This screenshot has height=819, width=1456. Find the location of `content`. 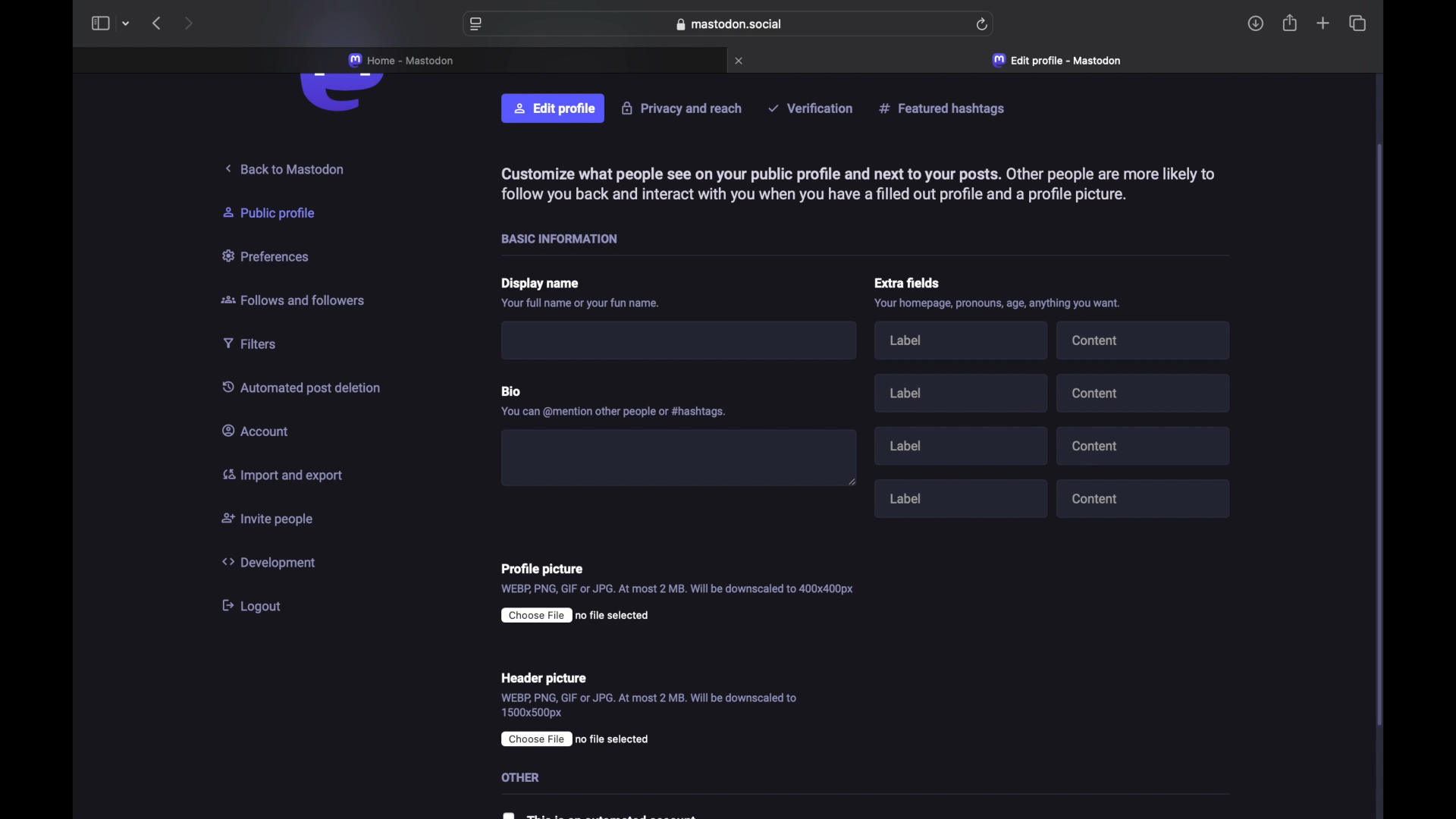

content is located at coordinates (1145, 445).